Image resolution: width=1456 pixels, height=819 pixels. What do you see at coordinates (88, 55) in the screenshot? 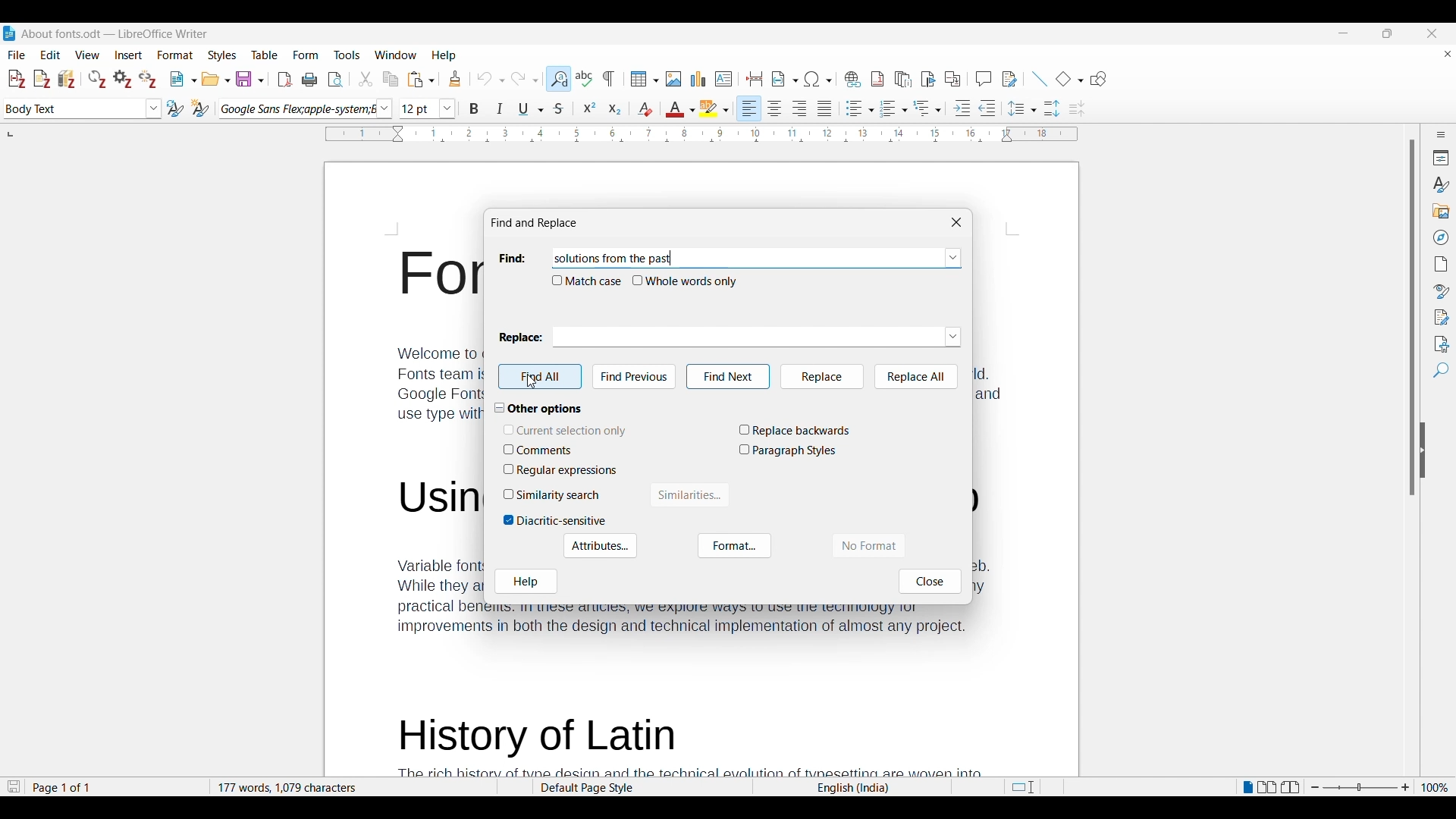
I see `View menu` at bounding box center [88, 55].